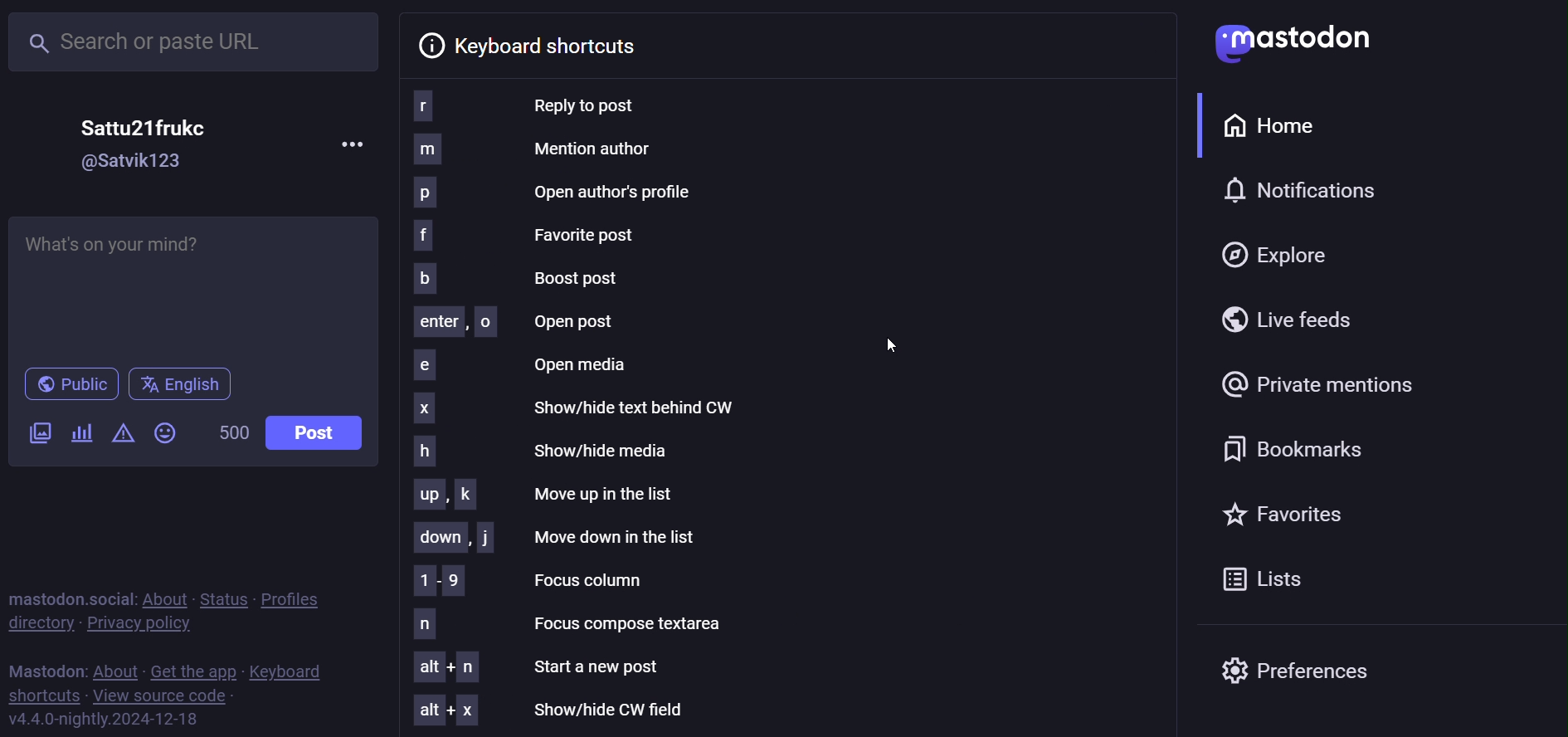  What do you see at coordinates (1293, 316) in the screenshot?
I see `live feed` at bounding box center [1293, 316].